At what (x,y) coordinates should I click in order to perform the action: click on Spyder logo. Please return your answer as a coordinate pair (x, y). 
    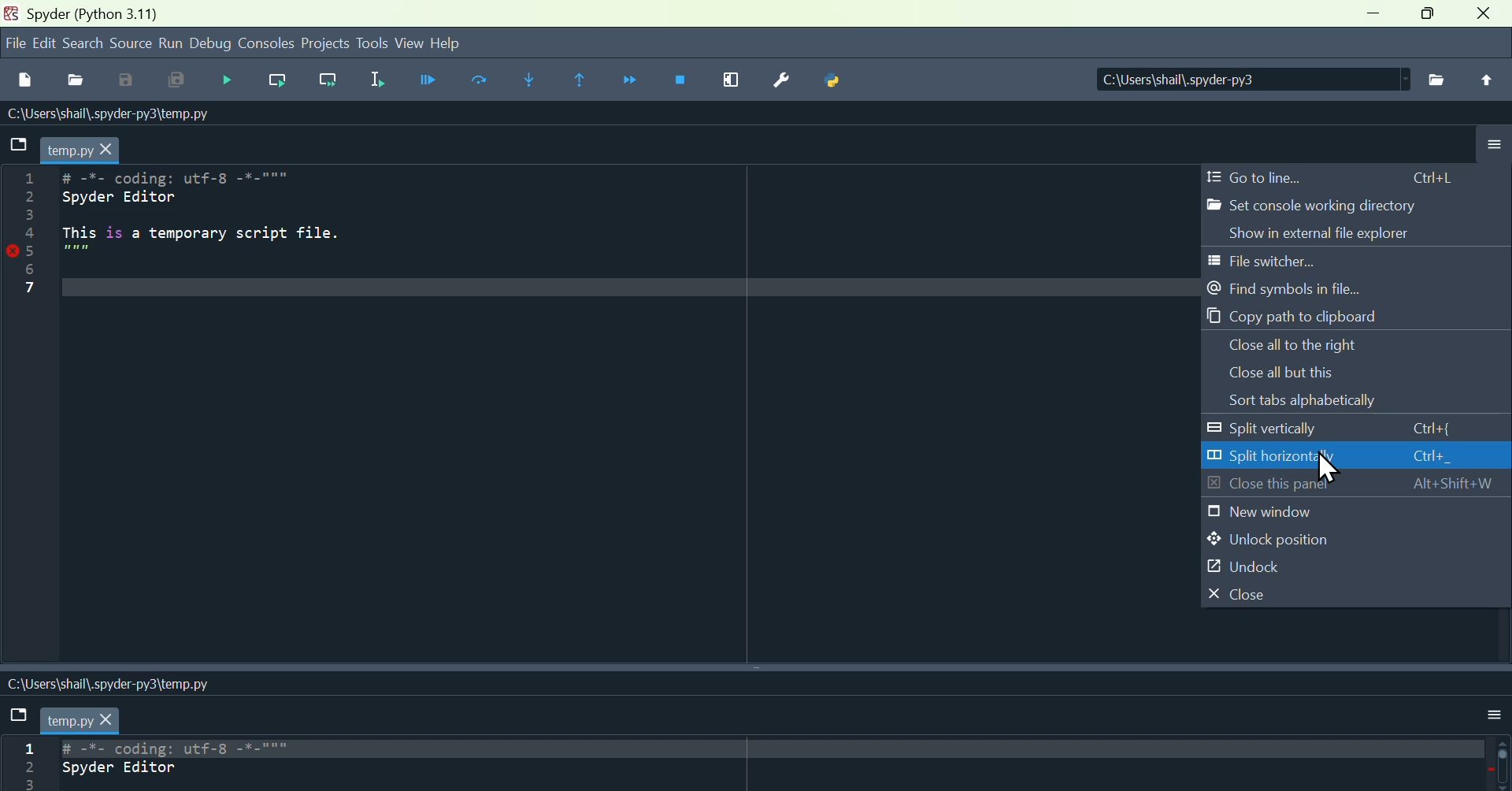
    Looking at the image, I should click on (9, 13).